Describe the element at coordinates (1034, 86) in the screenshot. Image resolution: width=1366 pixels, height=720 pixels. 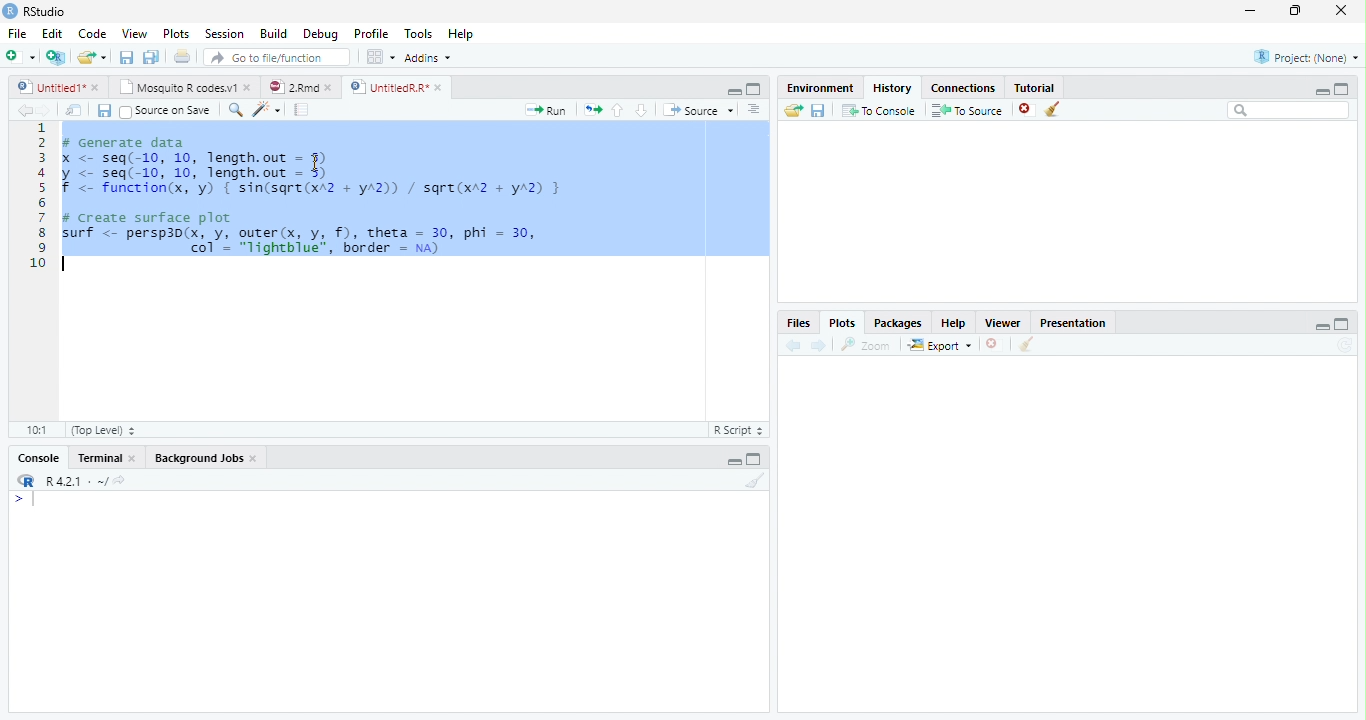
I see `Tutorial` at that location.